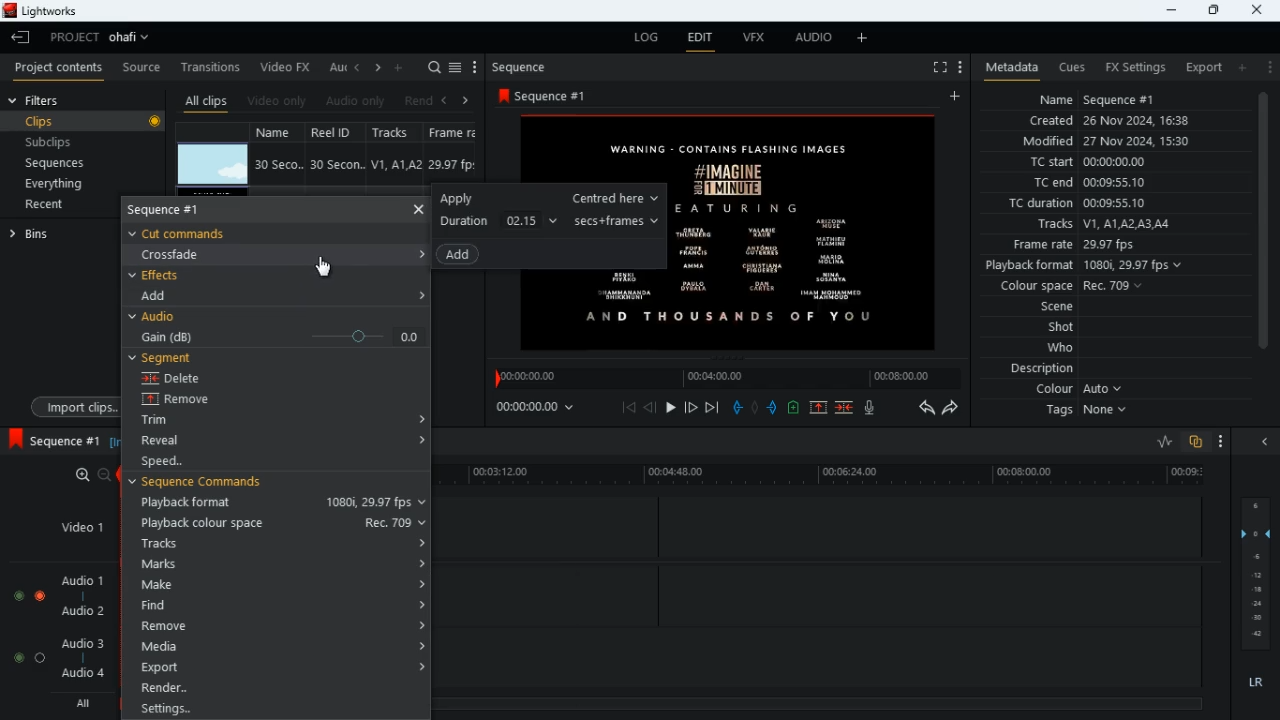 The width and height of the screenshot is (1280, 720). I want to click on minimize, so click(1168, 10).